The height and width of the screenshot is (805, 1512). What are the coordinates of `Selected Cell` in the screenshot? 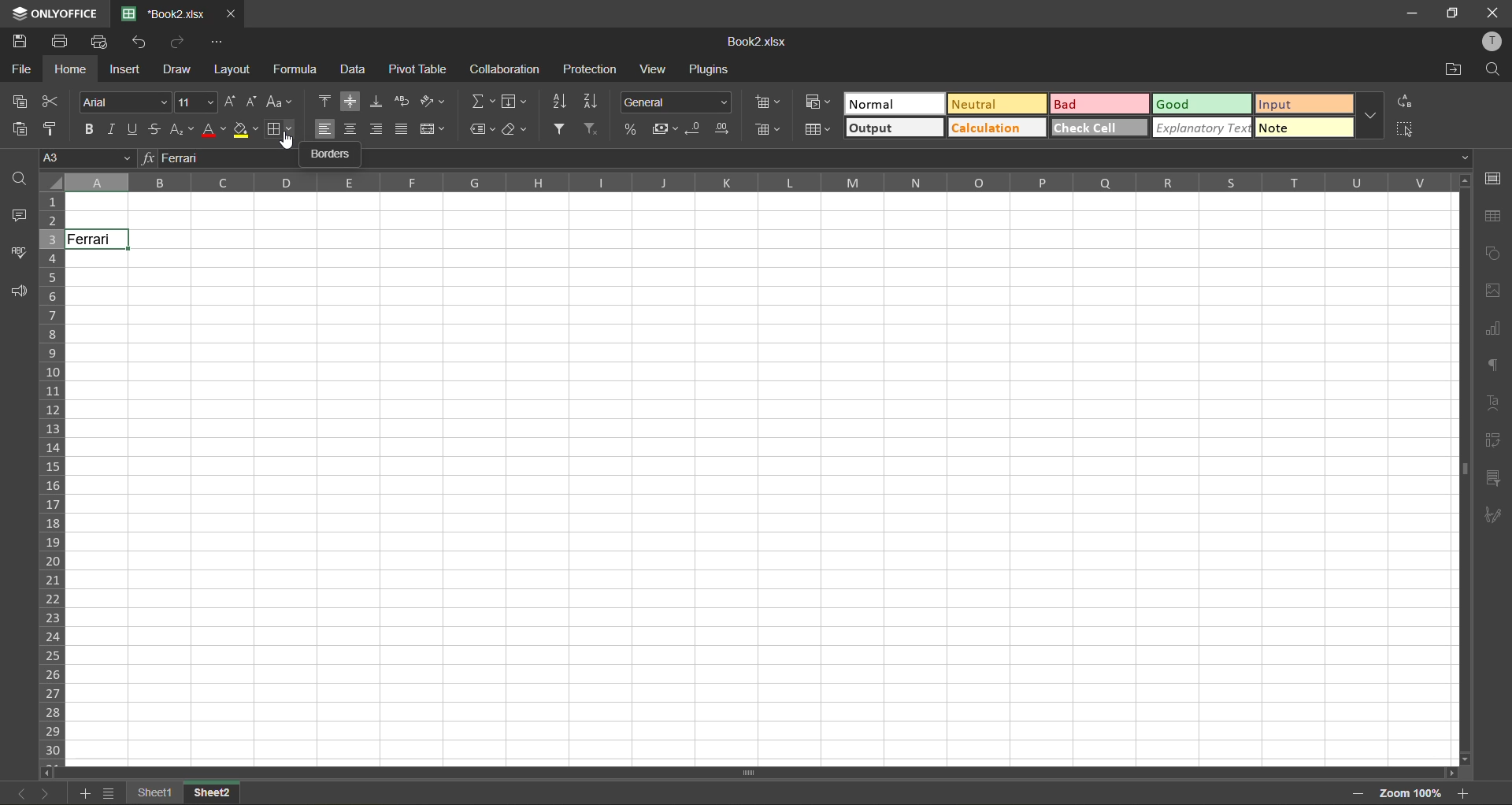 It's located at (161, 297).